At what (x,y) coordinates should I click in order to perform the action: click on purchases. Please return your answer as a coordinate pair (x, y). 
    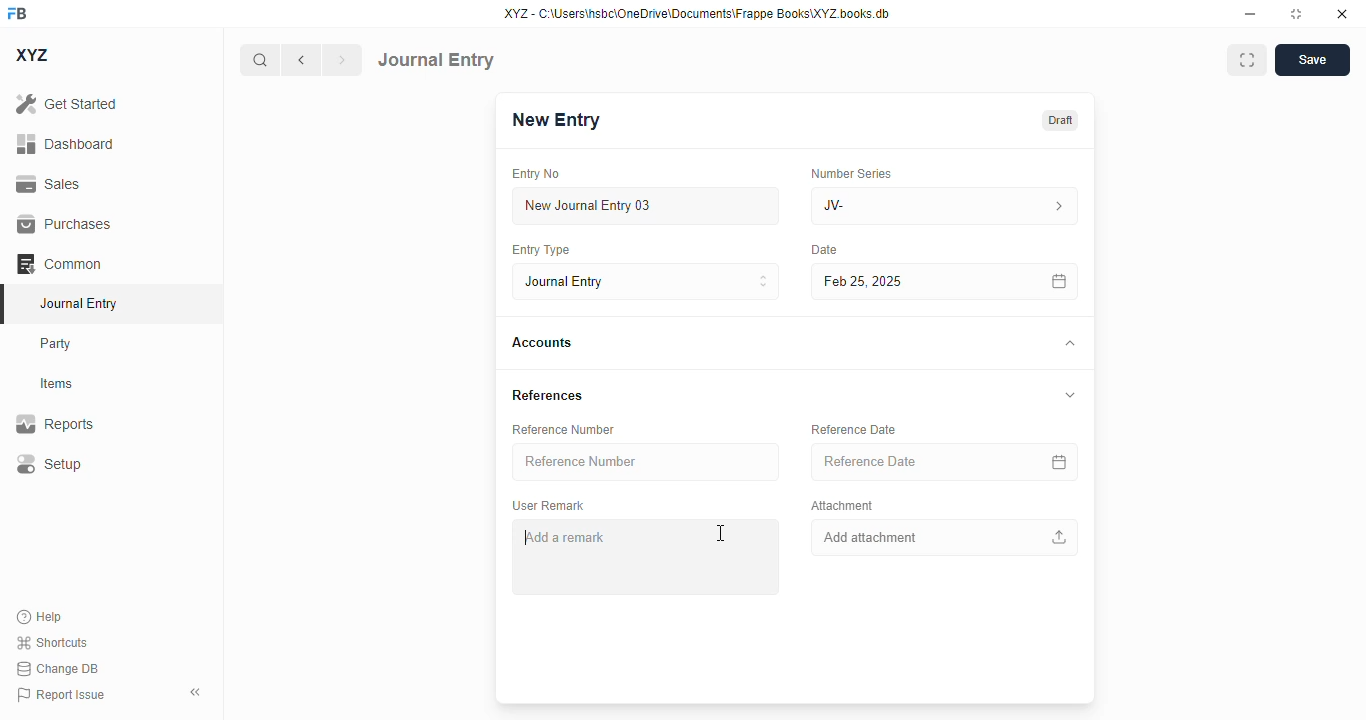
    Looking at the image, I should click on (65, 224).